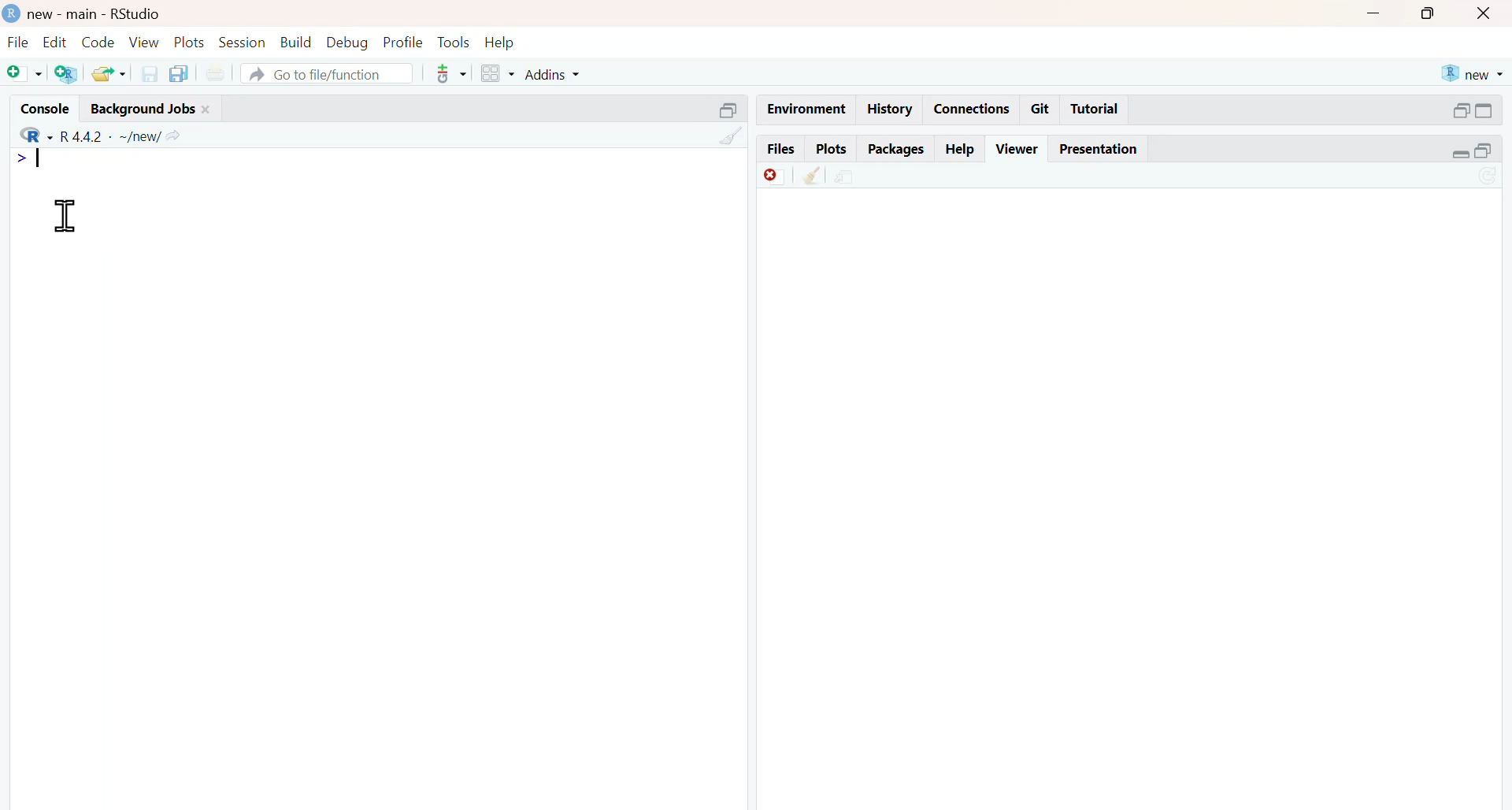 The image size is (1512, 810). Describe the element at coordinates (1095, 108) in the screenshot. I see `Tutorial ` at that location.